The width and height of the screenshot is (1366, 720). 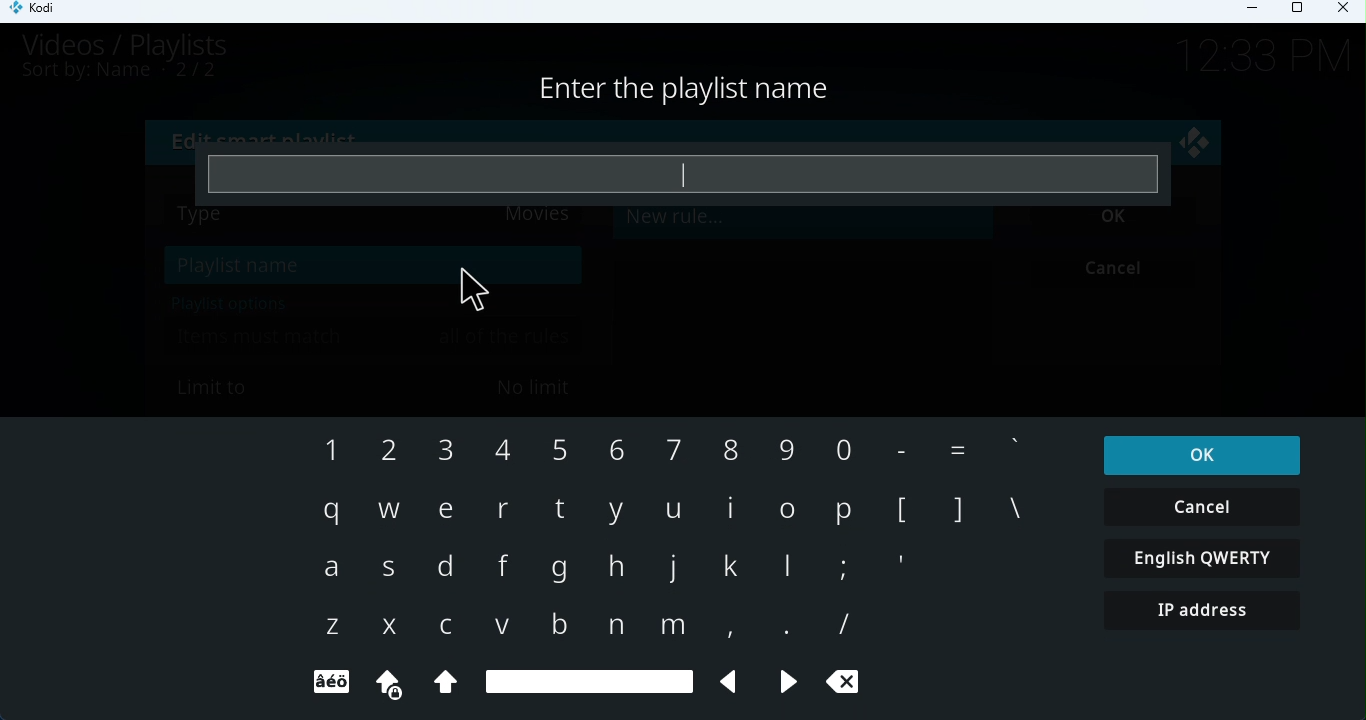 I want to click on Enter playlist name, so click(x=706, y=92).